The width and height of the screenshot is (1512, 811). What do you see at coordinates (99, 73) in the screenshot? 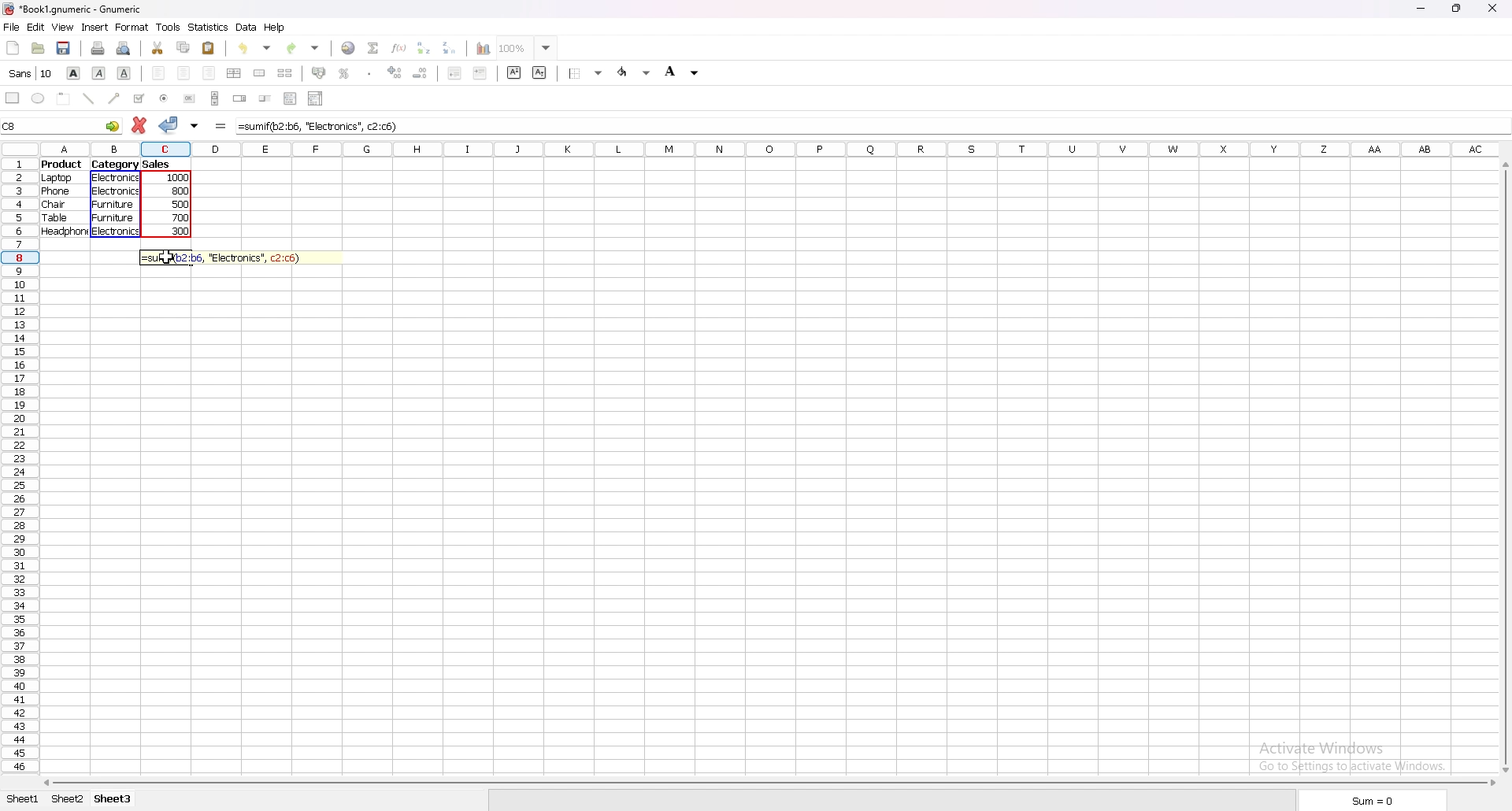
I see `italic` at bounding box center [99, 73].